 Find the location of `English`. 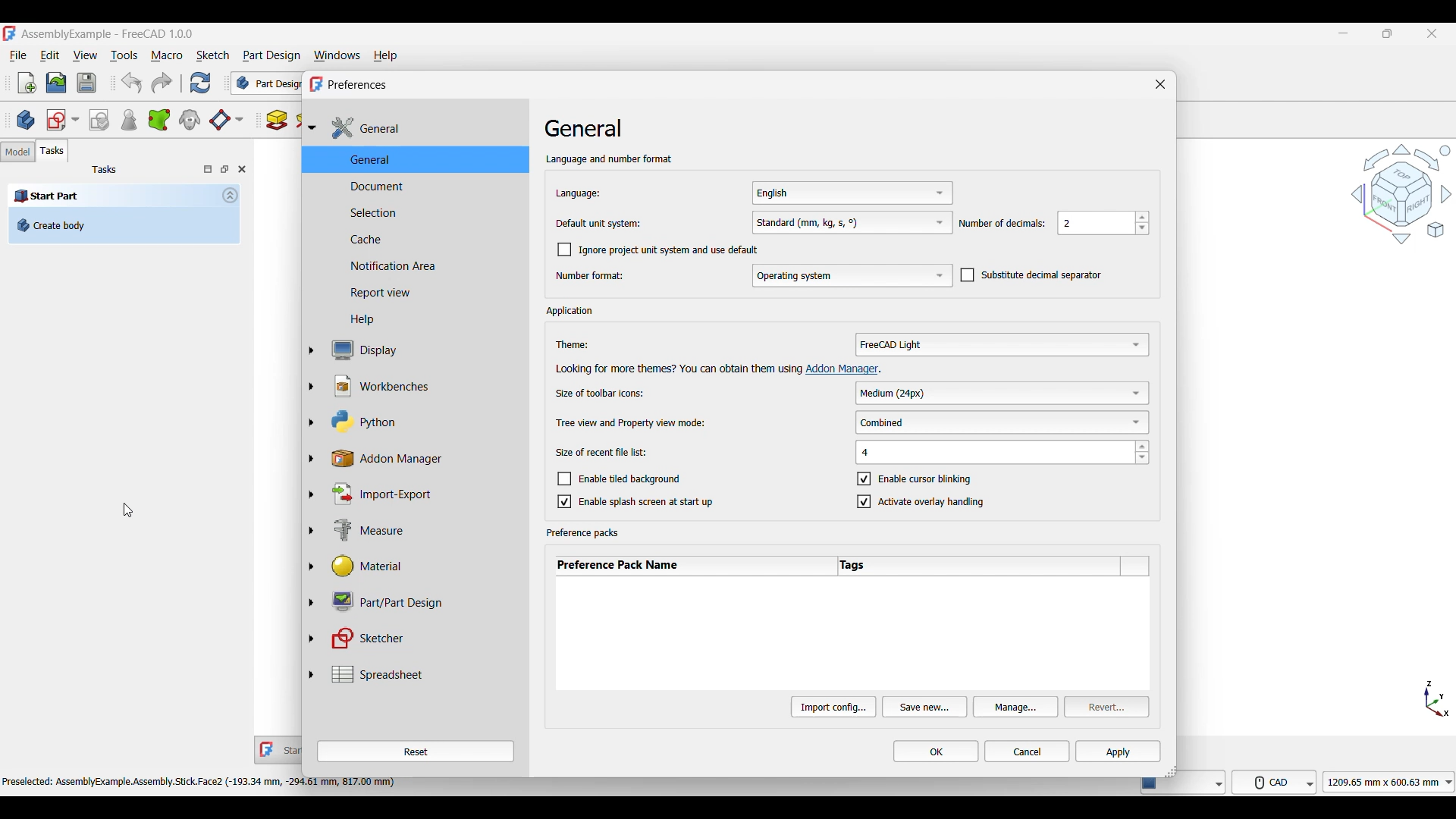

English is located at coordinates (850, 193).